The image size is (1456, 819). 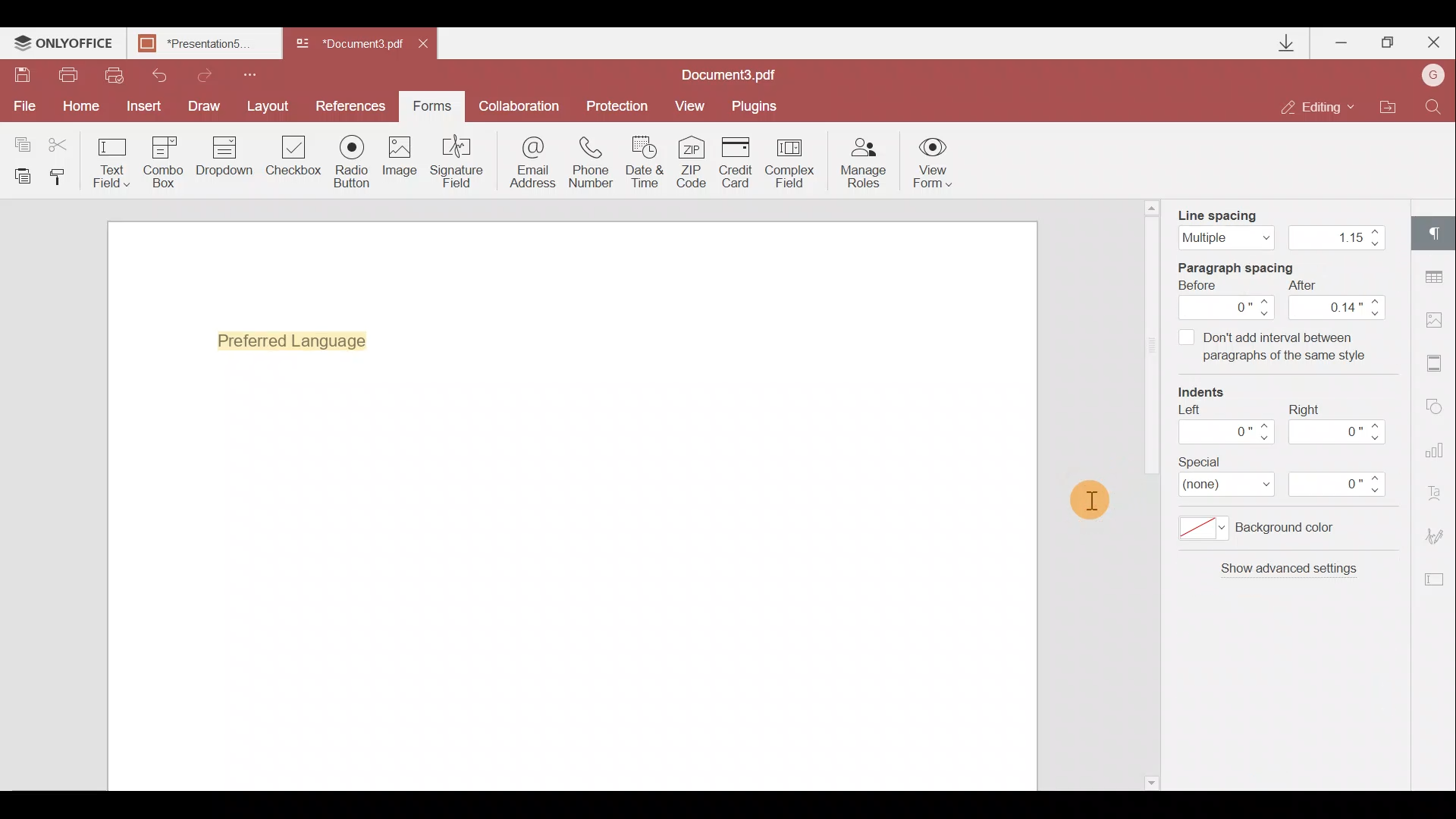 I want to click on 0.14, so click(x=1338, y=308).